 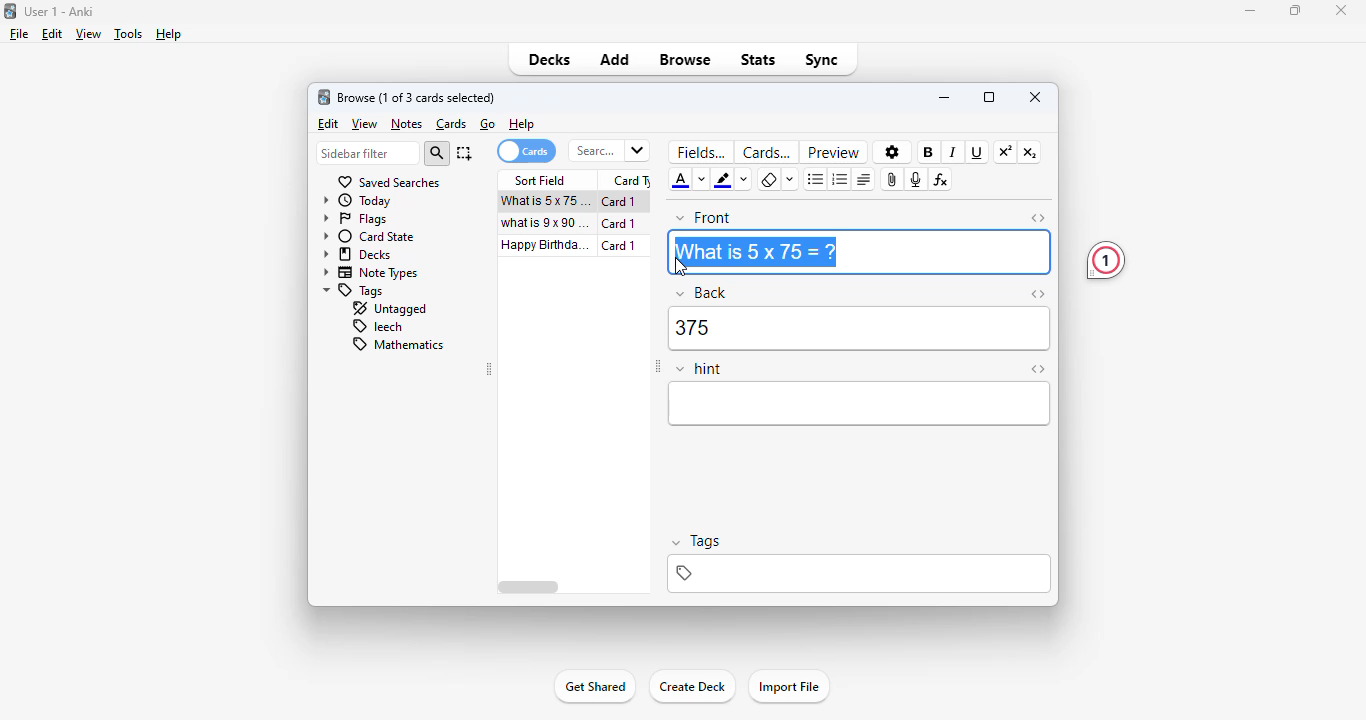 What do you see at coordinates (890, 151) in the screenshot?
I see `options` at bounding box center [890, 151].